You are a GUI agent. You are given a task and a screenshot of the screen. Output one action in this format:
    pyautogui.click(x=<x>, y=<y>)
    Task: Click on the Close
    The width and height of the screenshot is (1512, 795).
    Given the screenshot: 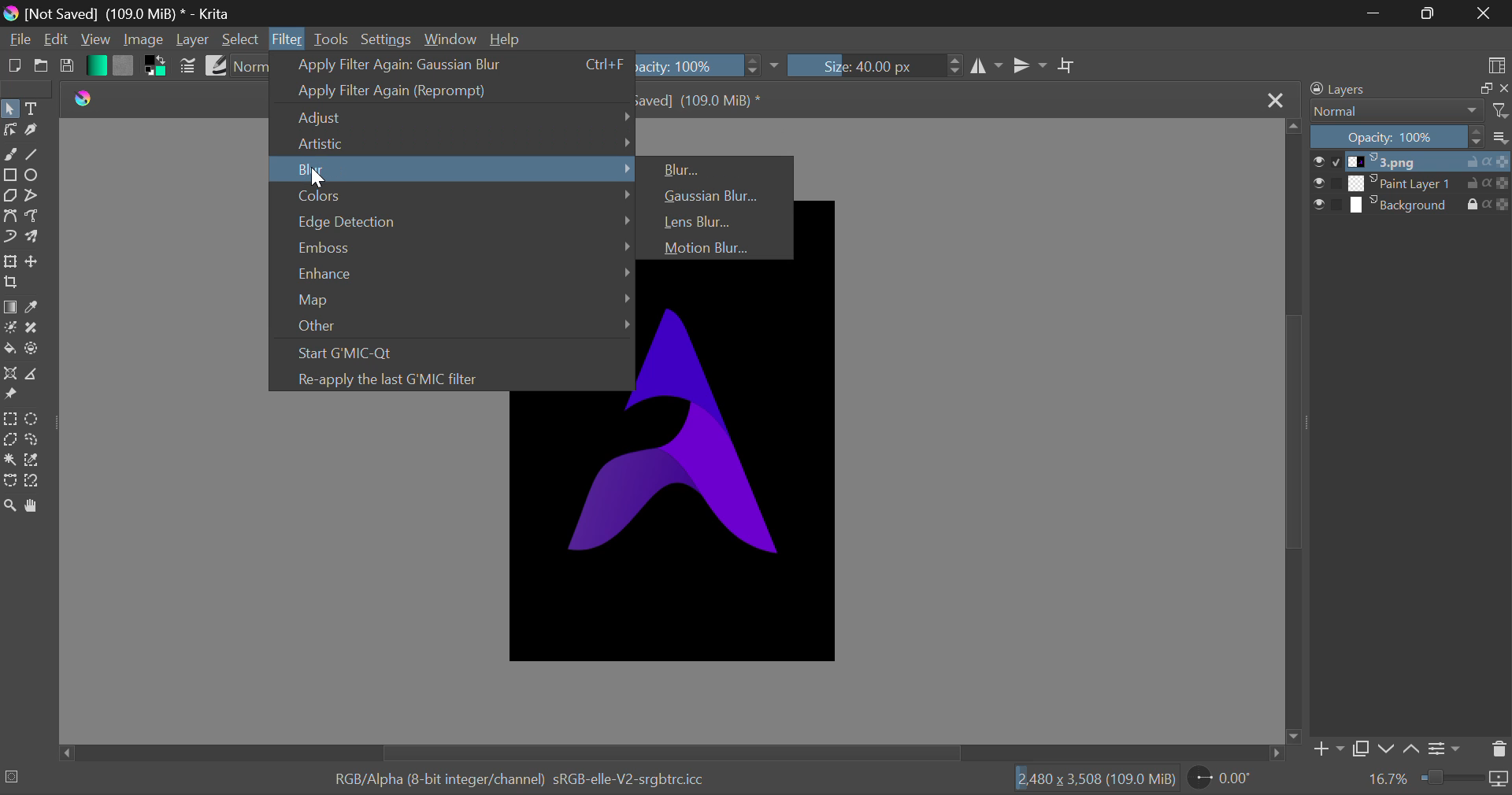 What is the action you would take?
    pyautogui.click(x=1484, y=14)
    